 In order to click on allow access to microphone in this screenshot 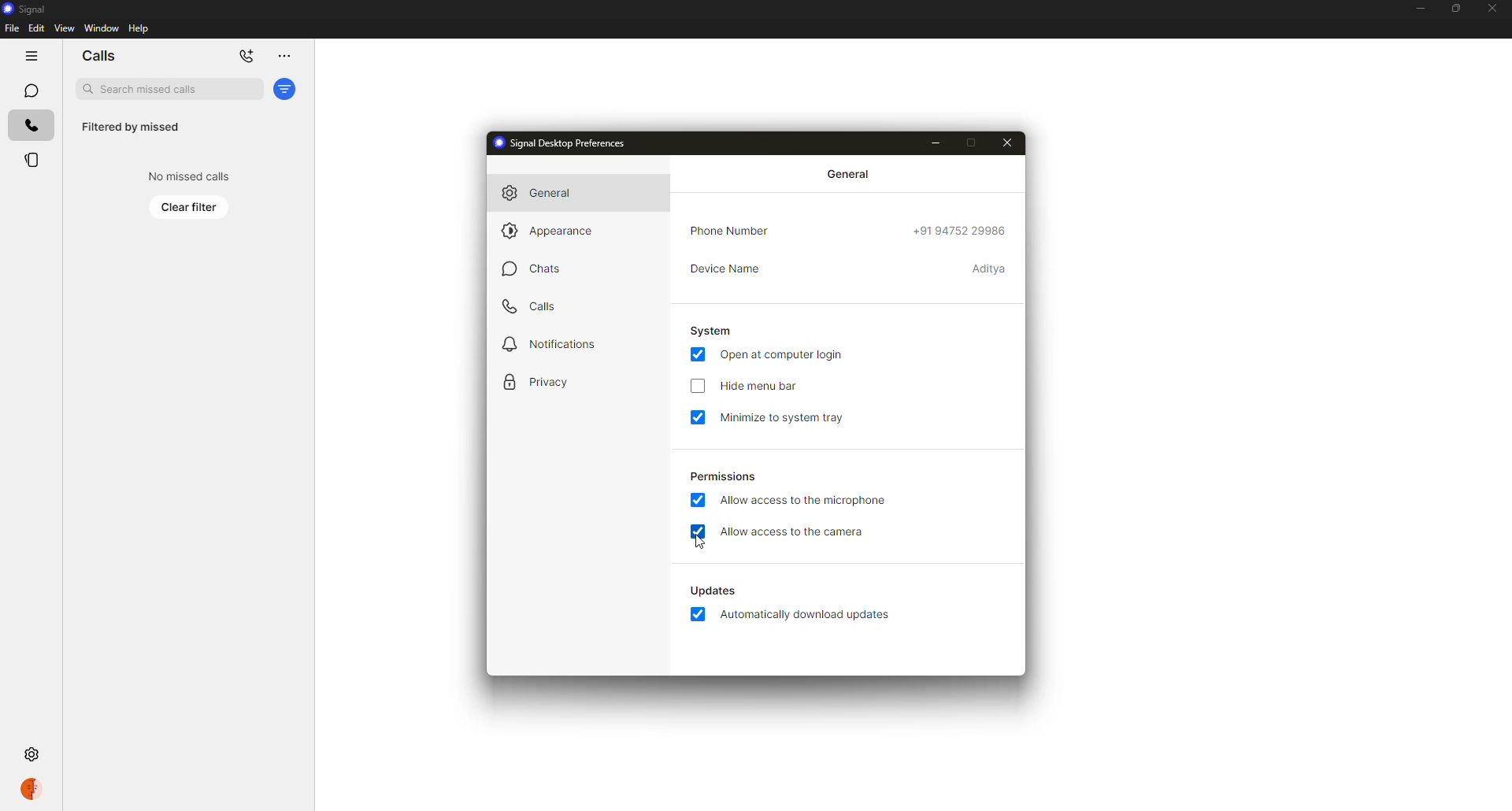, I will do `click(805, 502)`.